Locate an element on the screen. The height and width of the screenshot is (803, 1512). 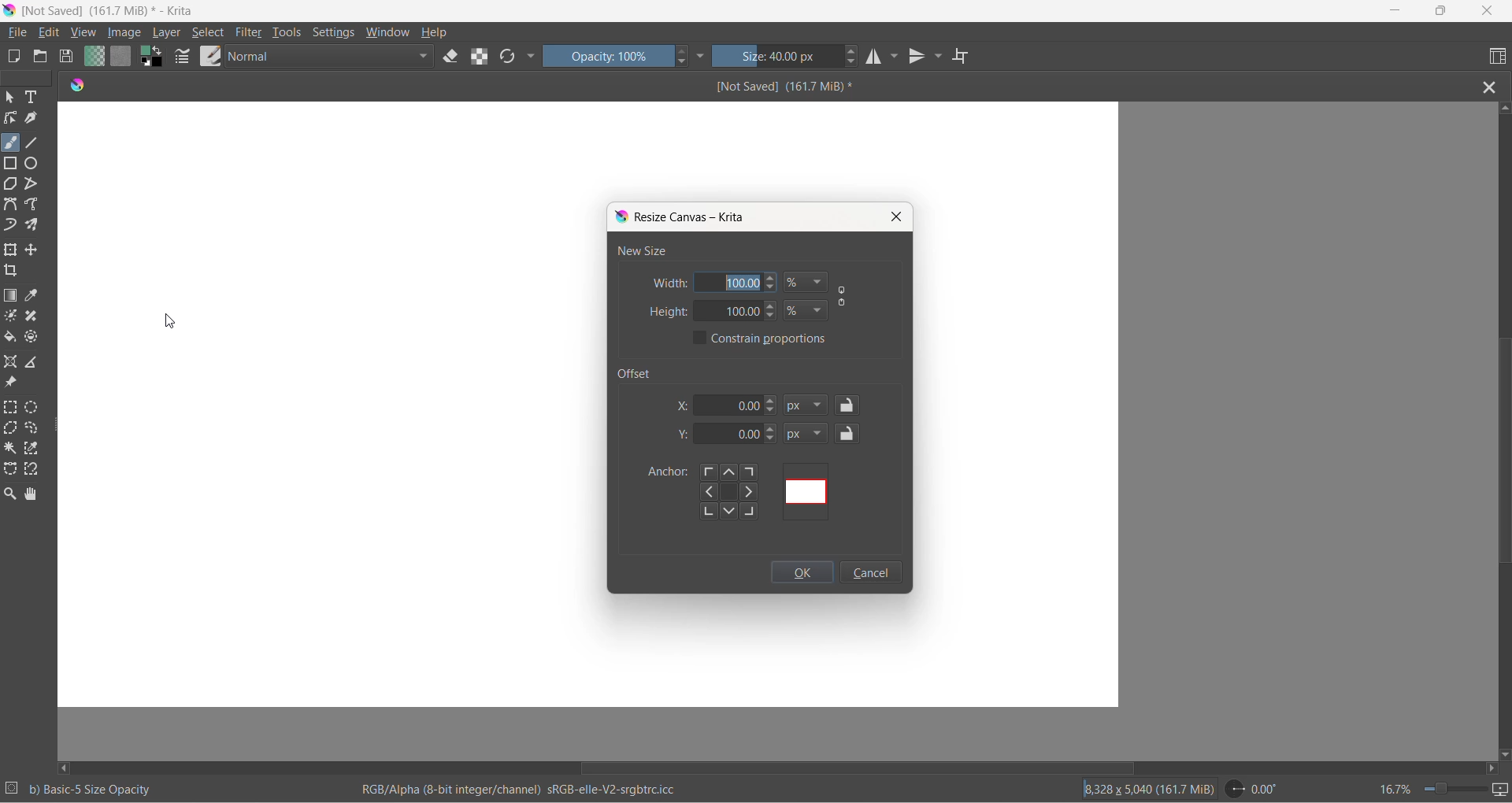
brush presets is located at coordinates (210, 56).